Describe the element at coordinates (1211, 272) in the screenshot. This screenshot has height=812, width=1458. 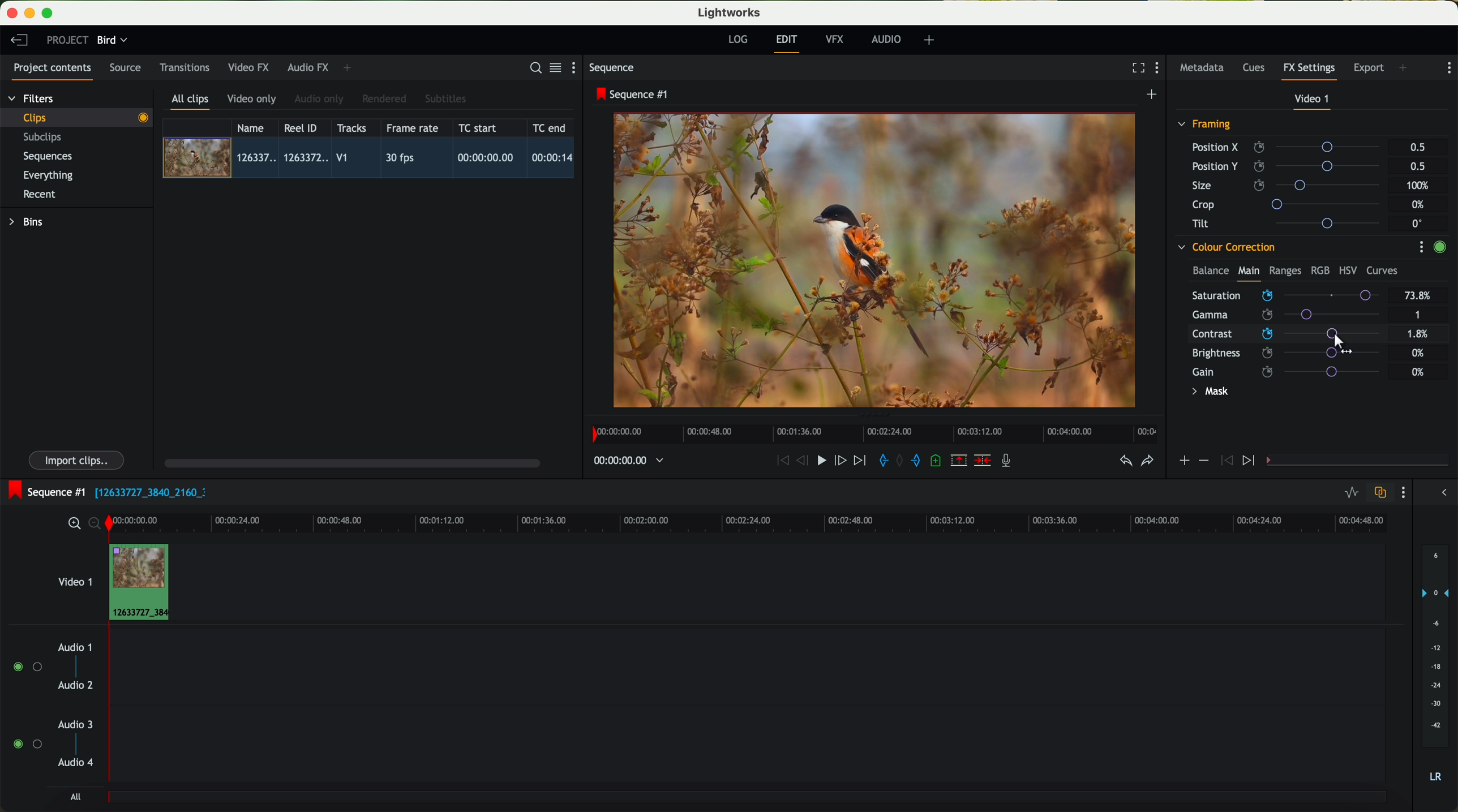
I see `balance` at that location.